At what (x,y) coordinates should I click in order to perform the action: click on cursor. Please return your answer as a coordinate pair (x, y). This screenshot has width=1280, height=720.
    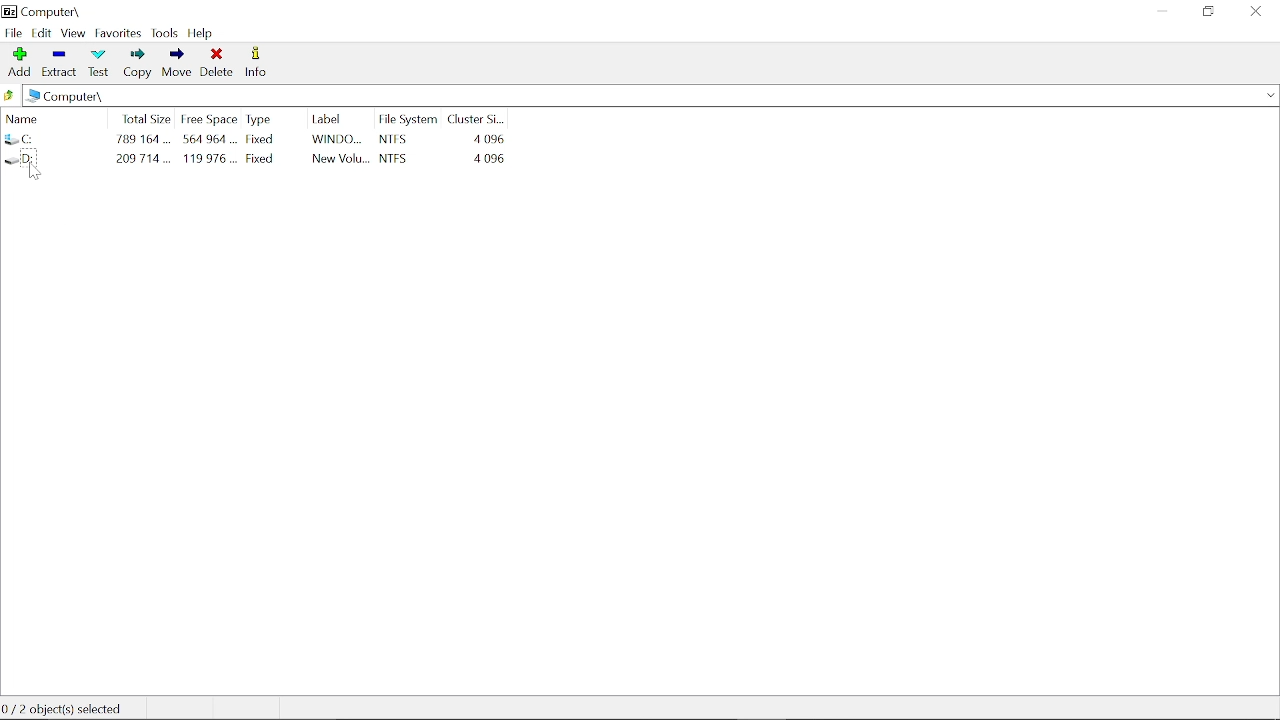
    Looking at the image, I should click on (41, 175).